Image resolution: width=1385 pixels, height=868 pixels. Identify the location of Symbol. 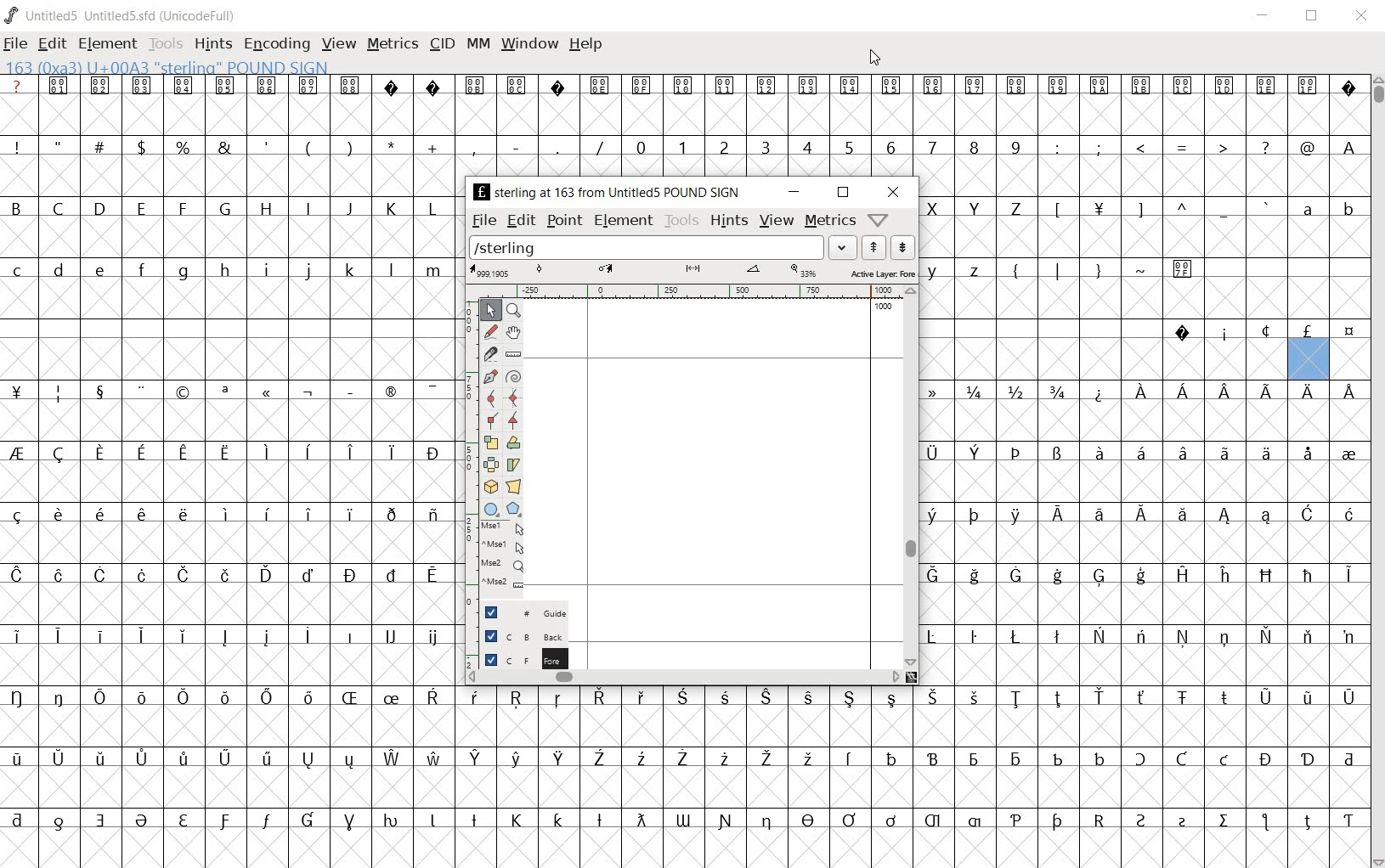
(1098, 211).